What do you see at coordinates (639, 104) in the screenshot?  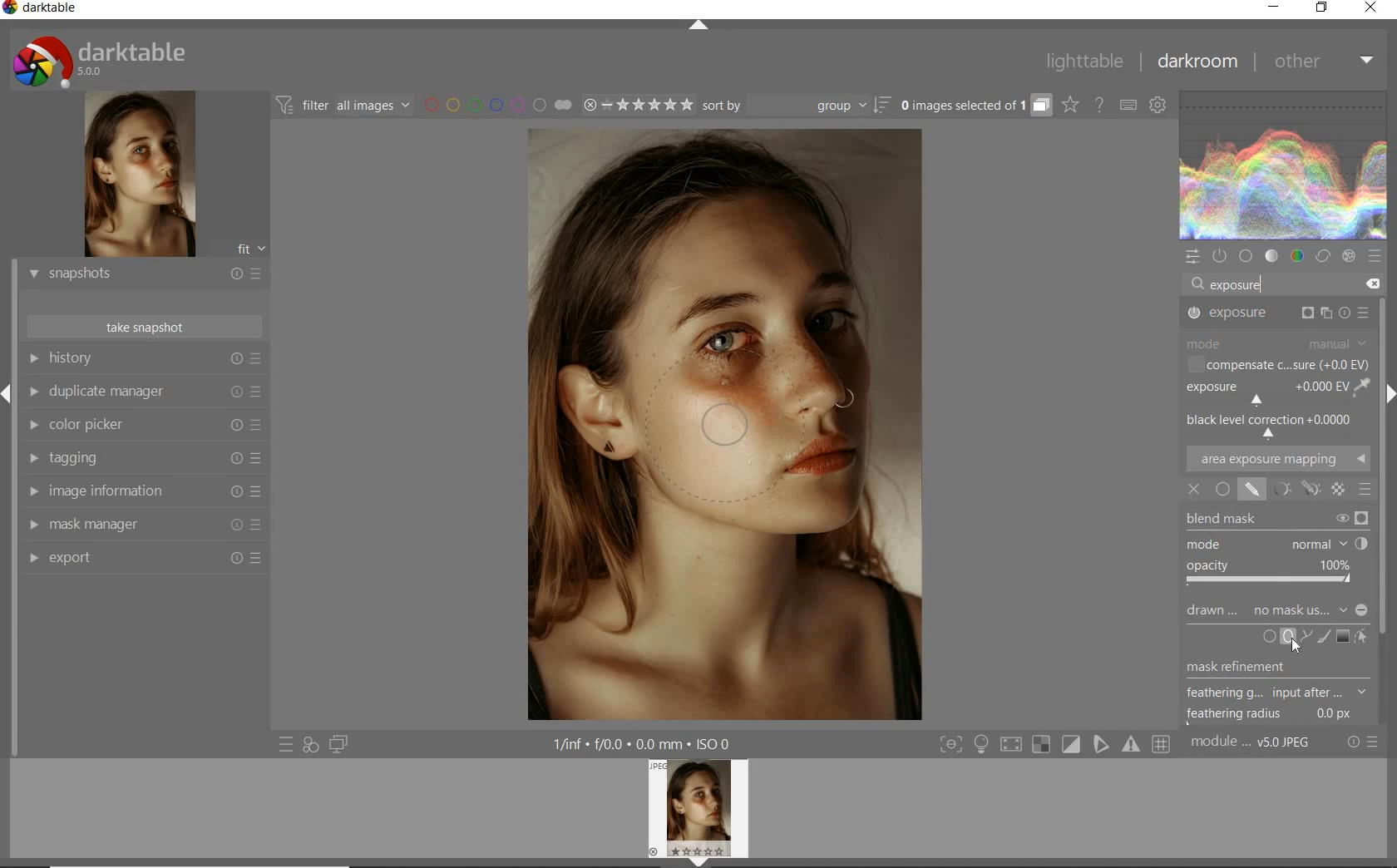 I see `range rating of selected images` at bounding box center [639, 104].